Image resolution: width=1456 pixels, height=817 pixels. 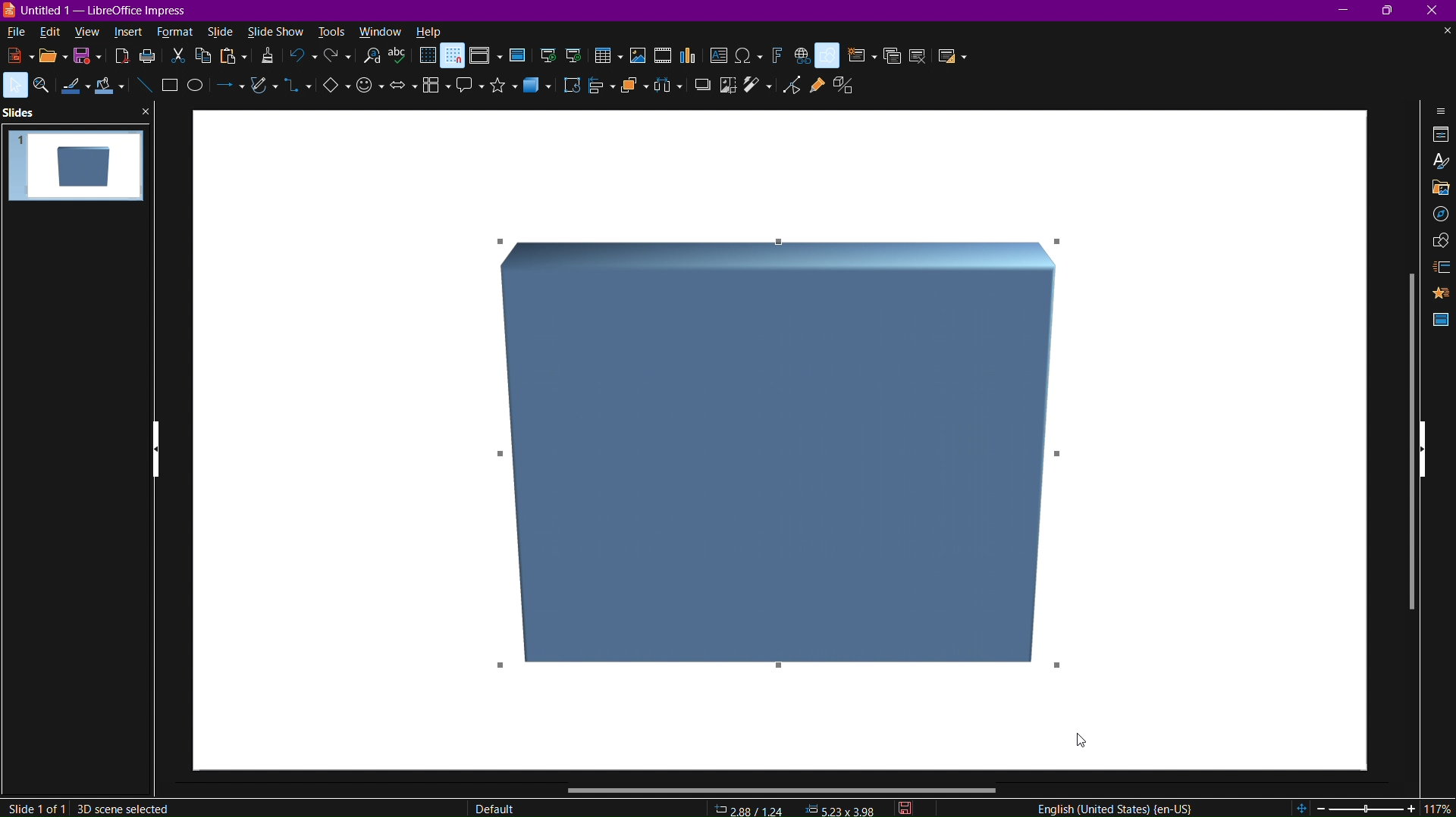 What do you see at coordinates (206, 58) in the screenshot?
I see `Copy` at bounding box center [206, 58].